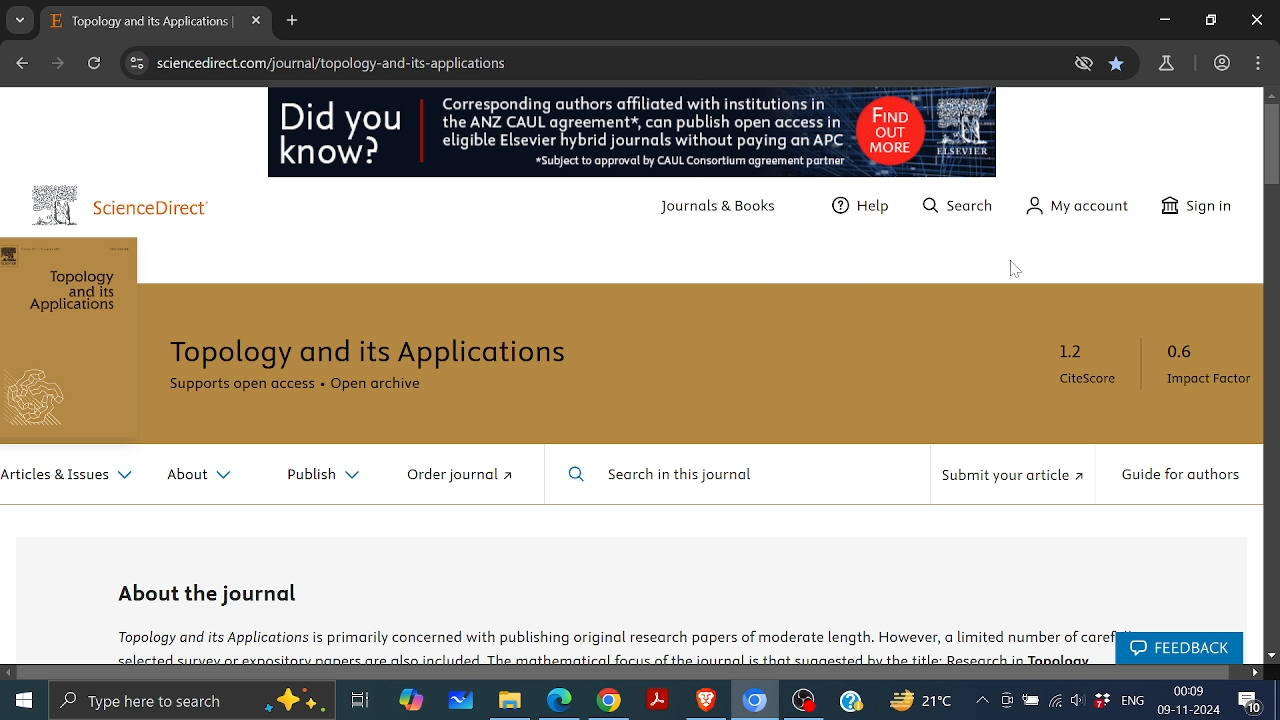  Describe the element at coordinates (1189, 701) in the screenshot. I see `00:09 09-11-2024` at that location.